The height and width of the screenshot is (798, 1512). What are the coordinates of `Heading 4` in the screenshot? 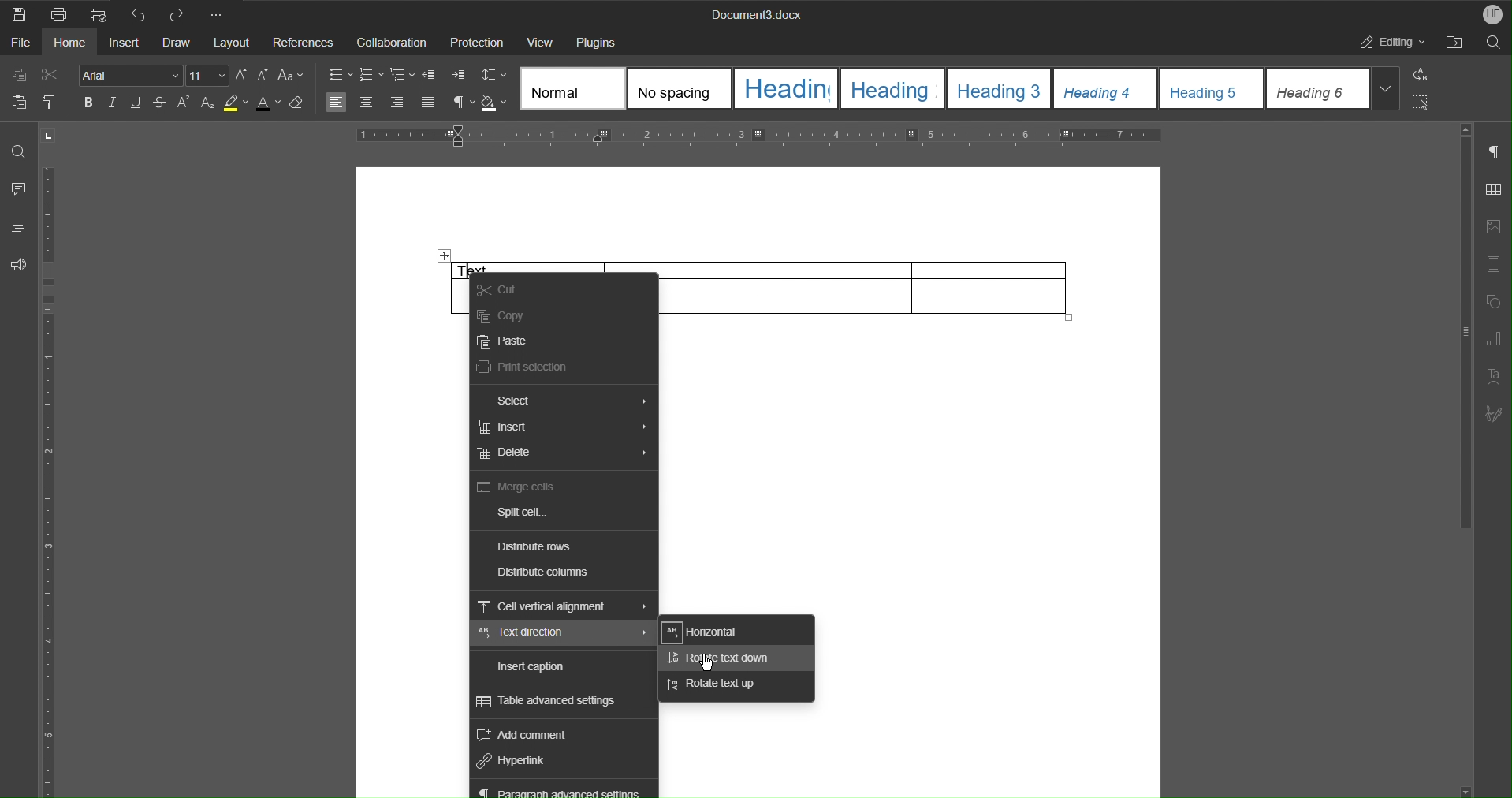 It's located at (1105, 88).